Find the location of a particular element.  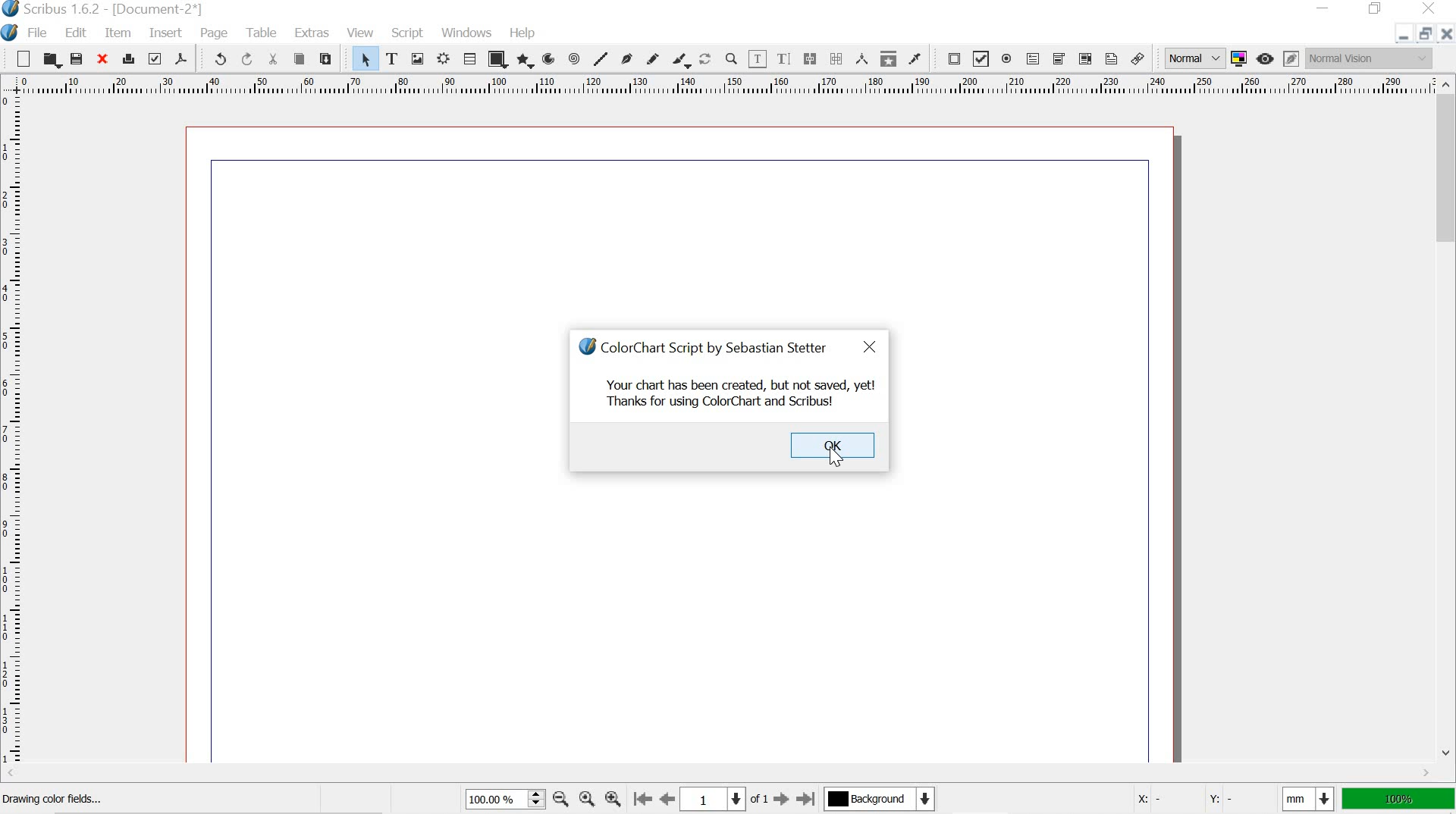

link text frames is located at coordinates (810, 58).